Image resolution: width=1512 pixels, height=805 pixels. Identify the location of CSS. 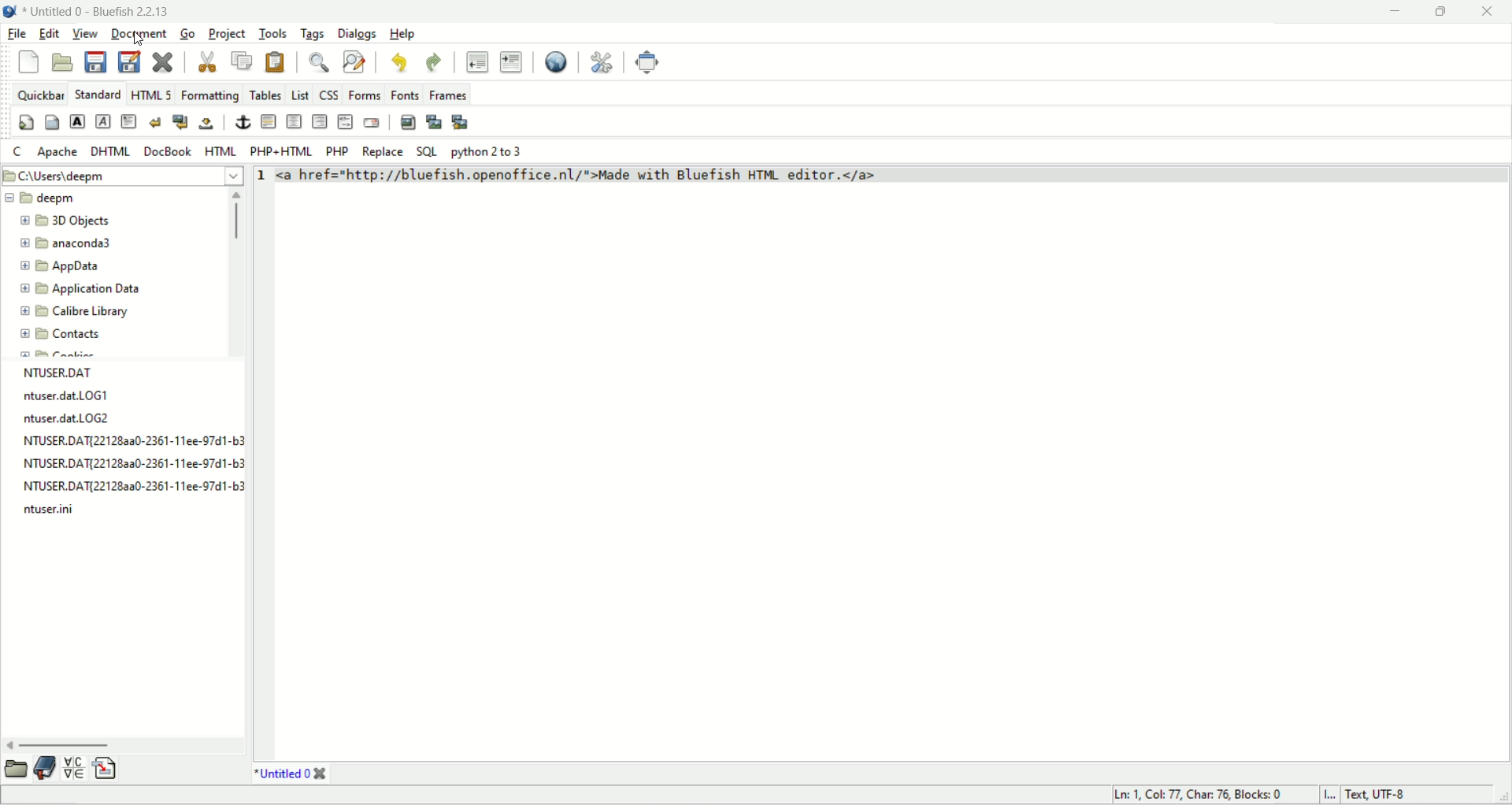
(332, 93).